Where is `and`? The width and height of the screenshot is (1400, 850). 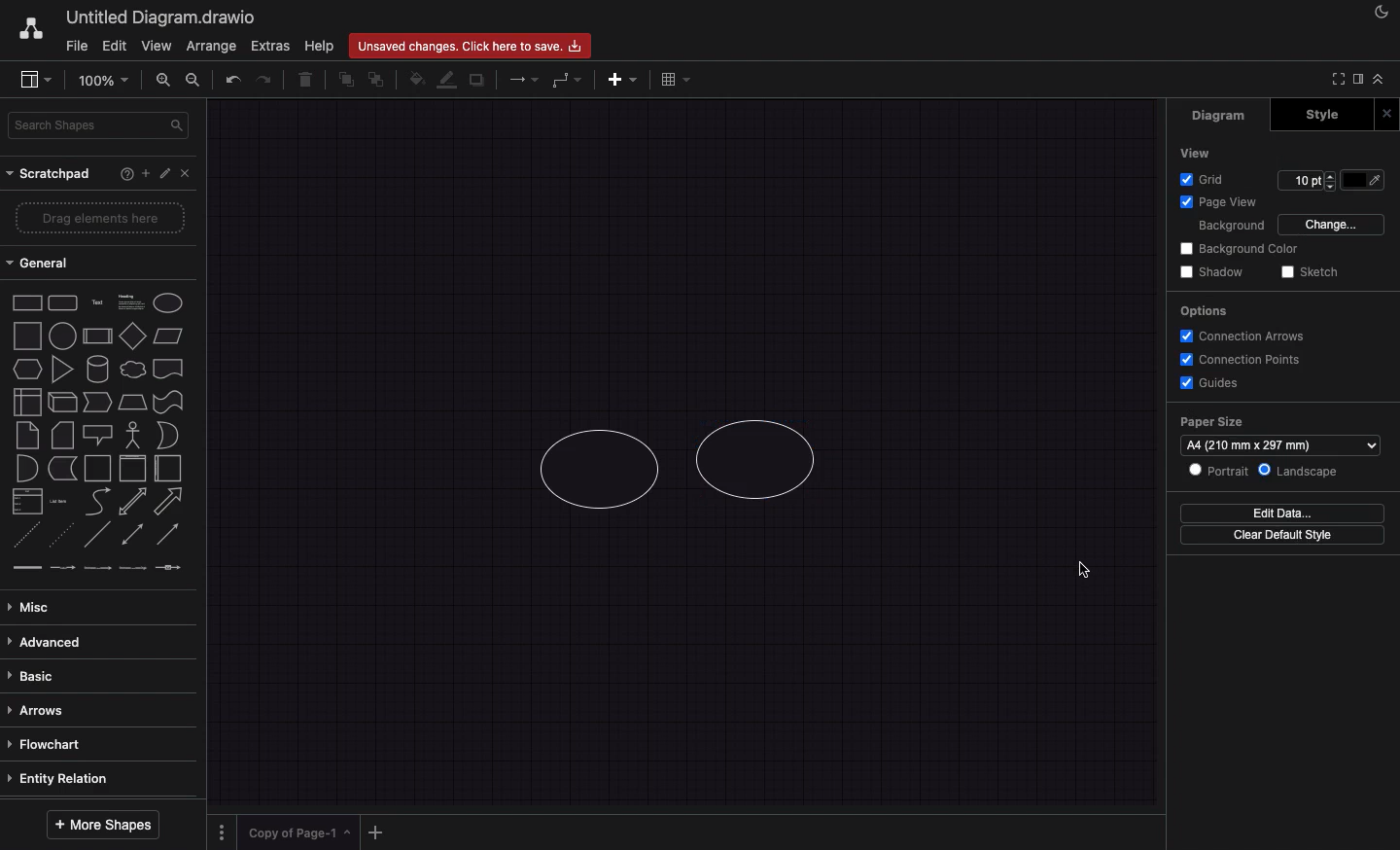
and is located at coordinates (27, 469).